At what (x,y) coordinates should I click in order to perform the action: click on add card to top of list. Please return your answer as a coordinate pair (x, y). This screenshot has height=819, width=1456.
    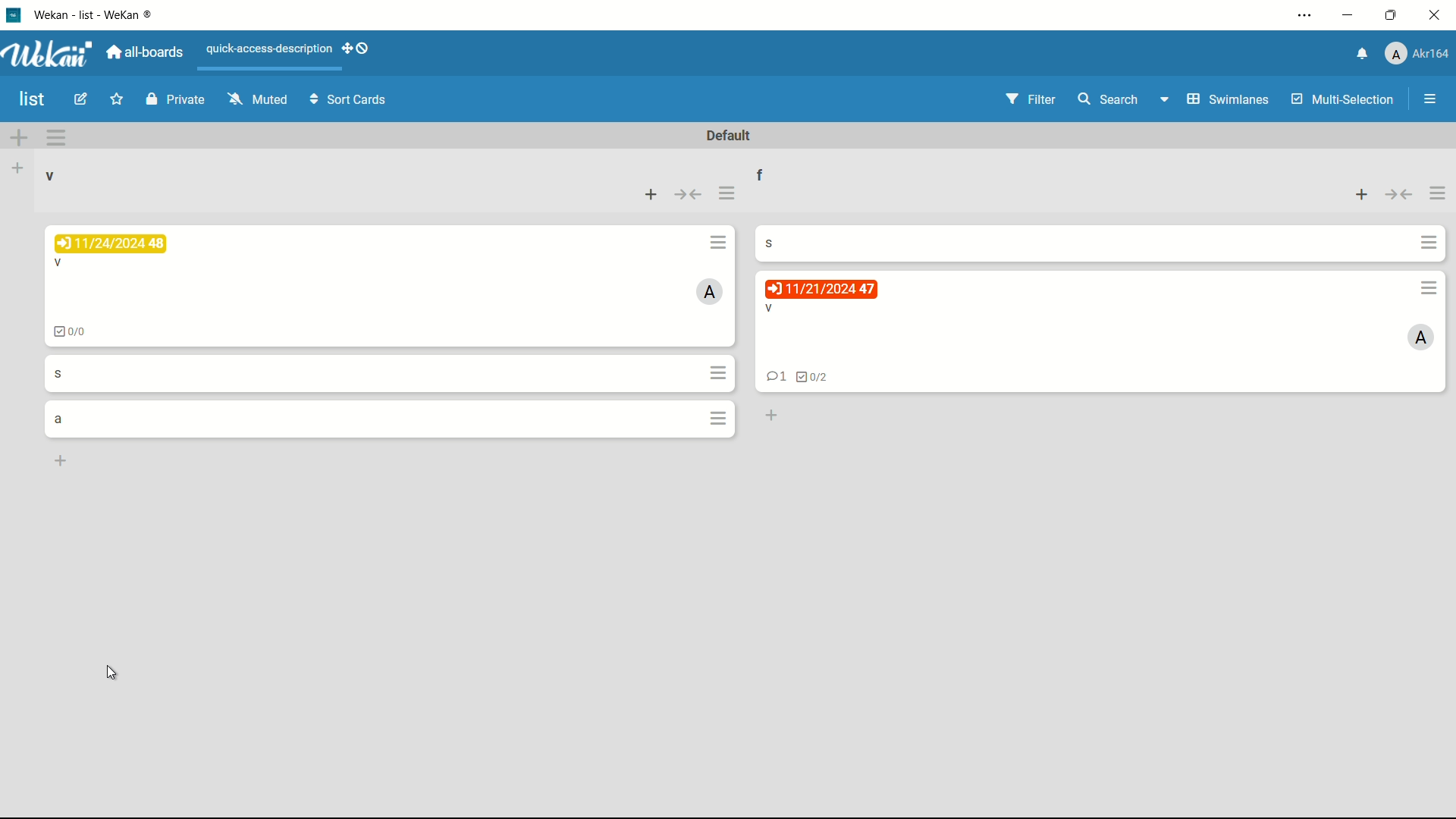
    Looking at the image, I should click on (1360, 196).